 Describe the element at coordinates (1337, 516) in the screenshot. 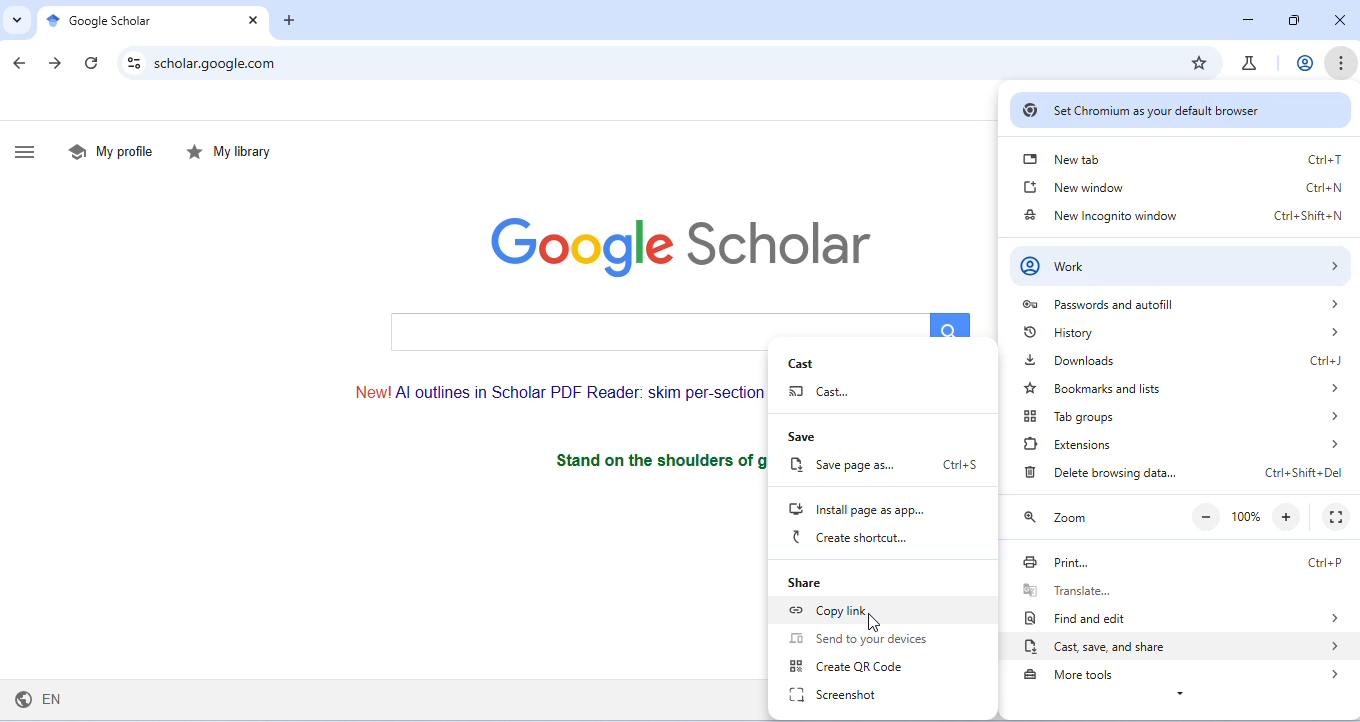

I see `fullscreen` at that location.